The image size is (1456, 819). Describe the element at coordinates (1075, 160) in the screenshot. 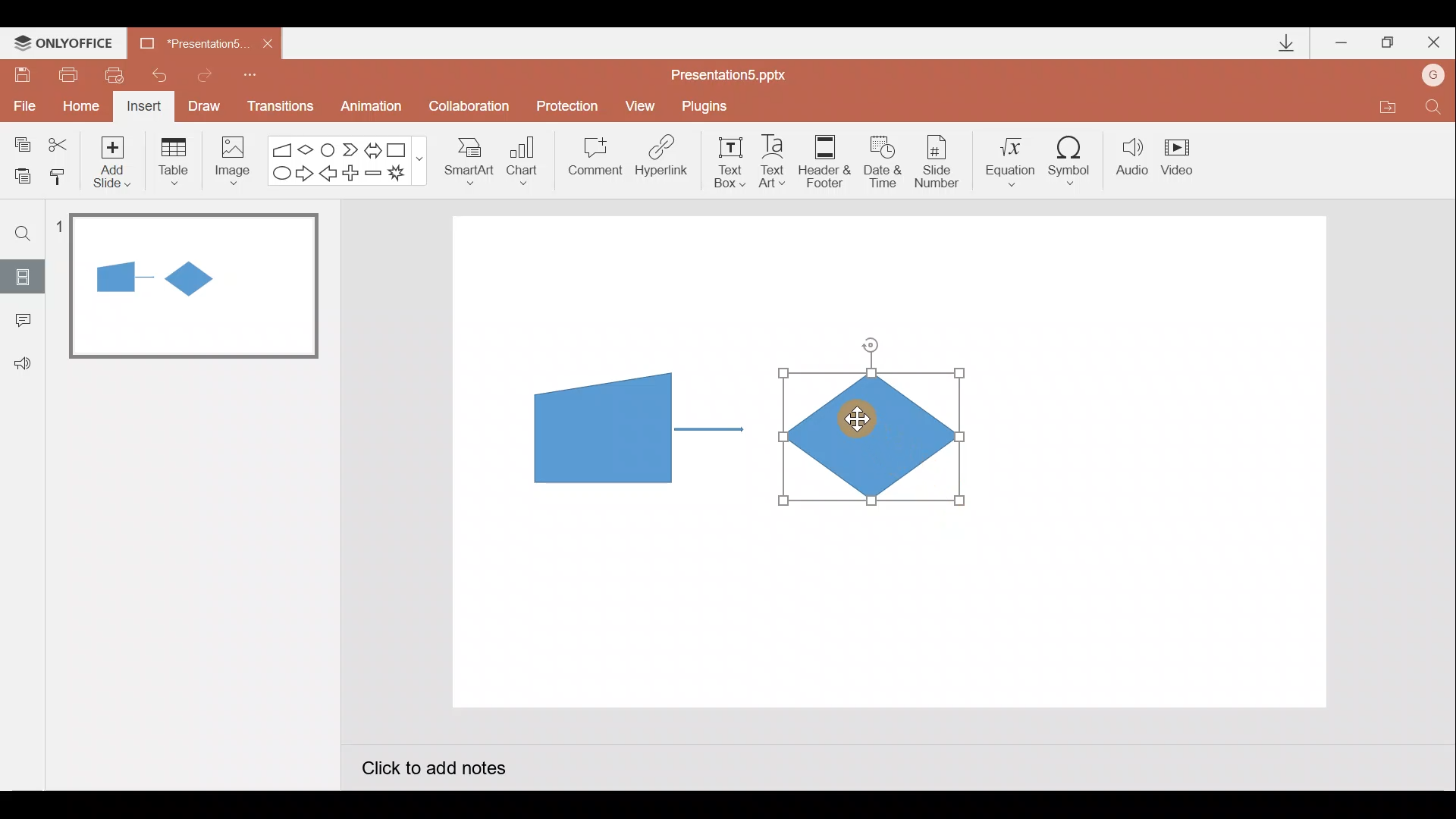

I see `Symbol` at that location.